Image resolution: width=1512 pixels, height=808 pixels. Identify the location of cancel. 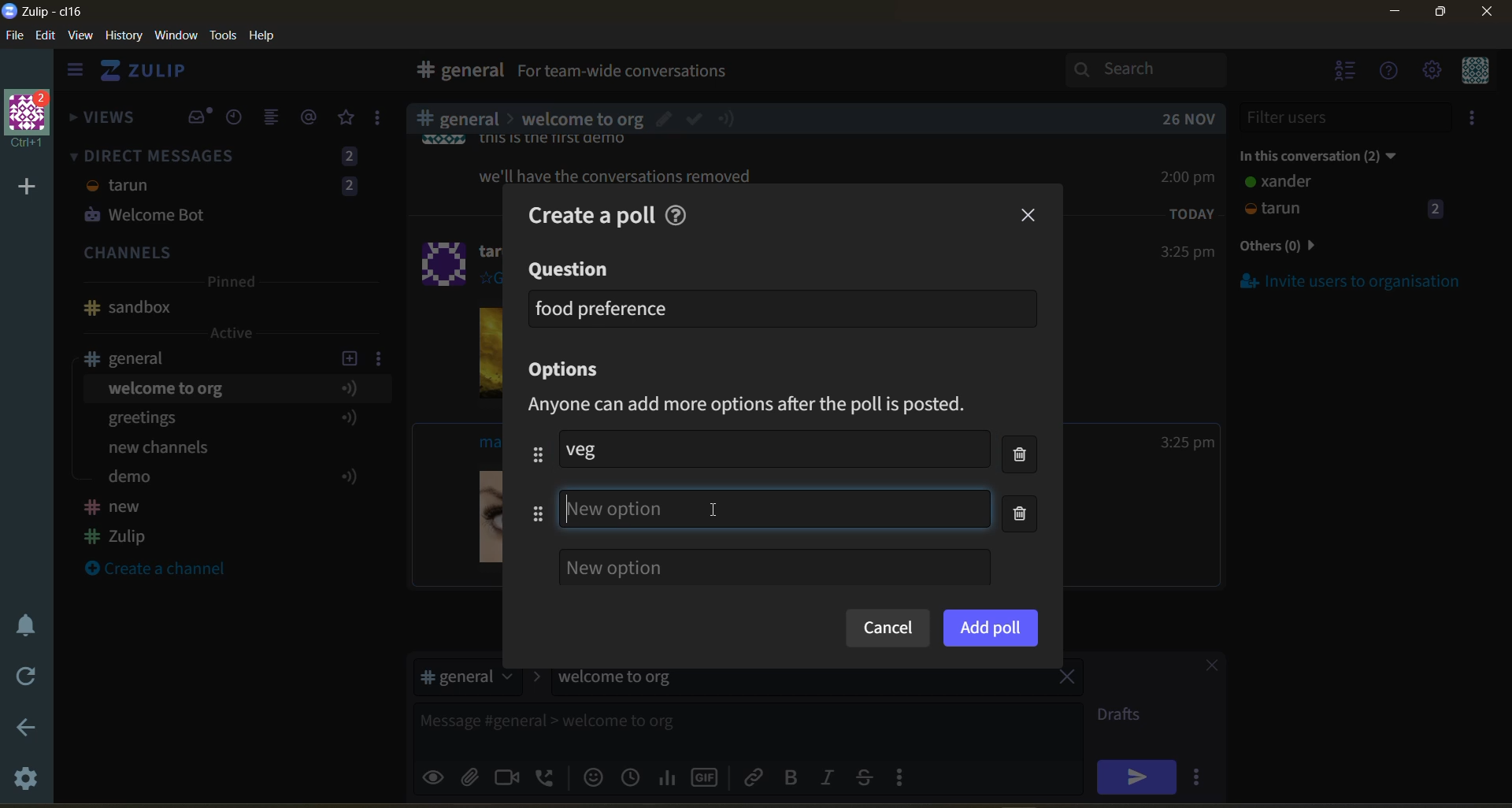
(887, 629).